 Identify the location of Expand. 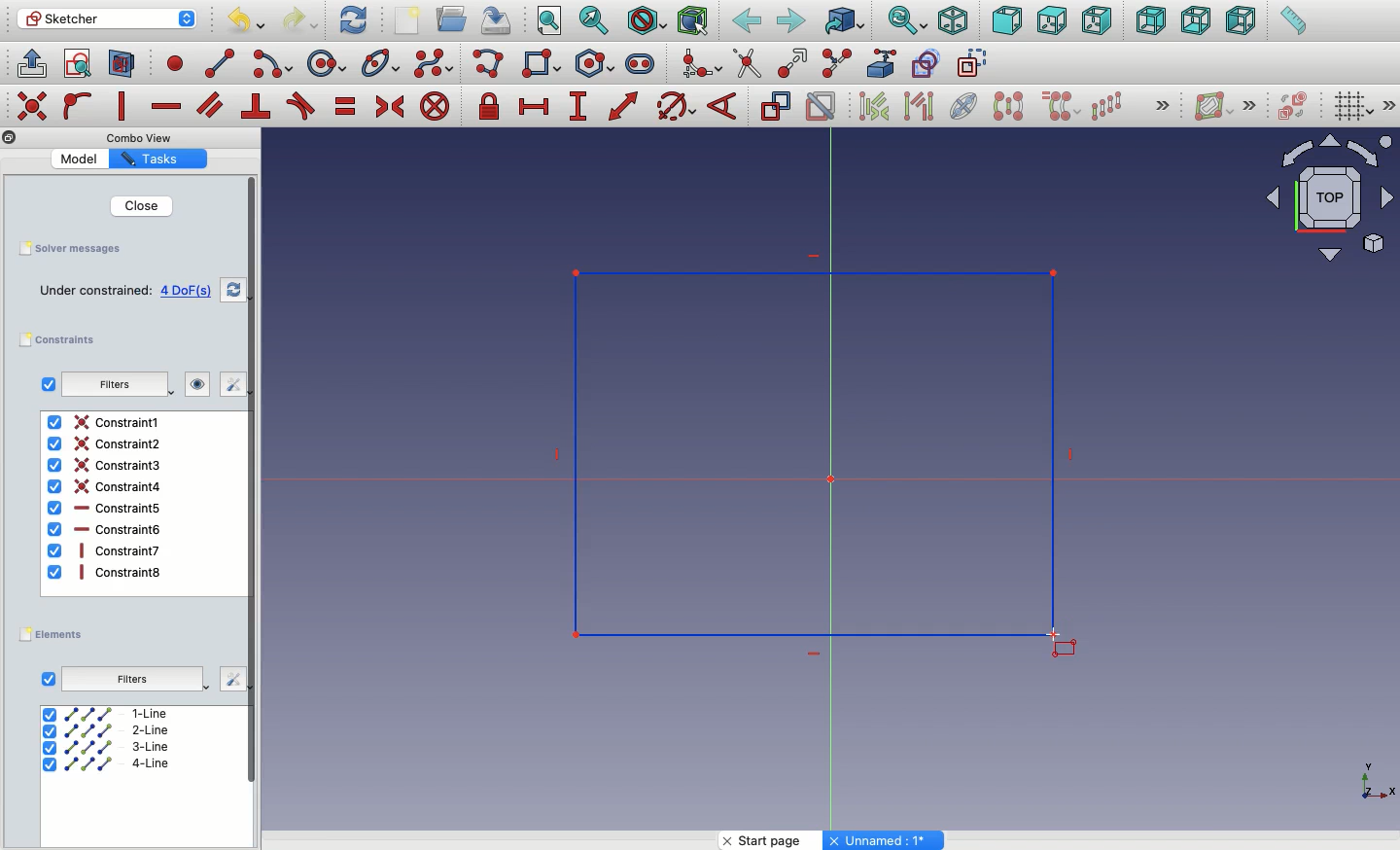
(1163, 107).